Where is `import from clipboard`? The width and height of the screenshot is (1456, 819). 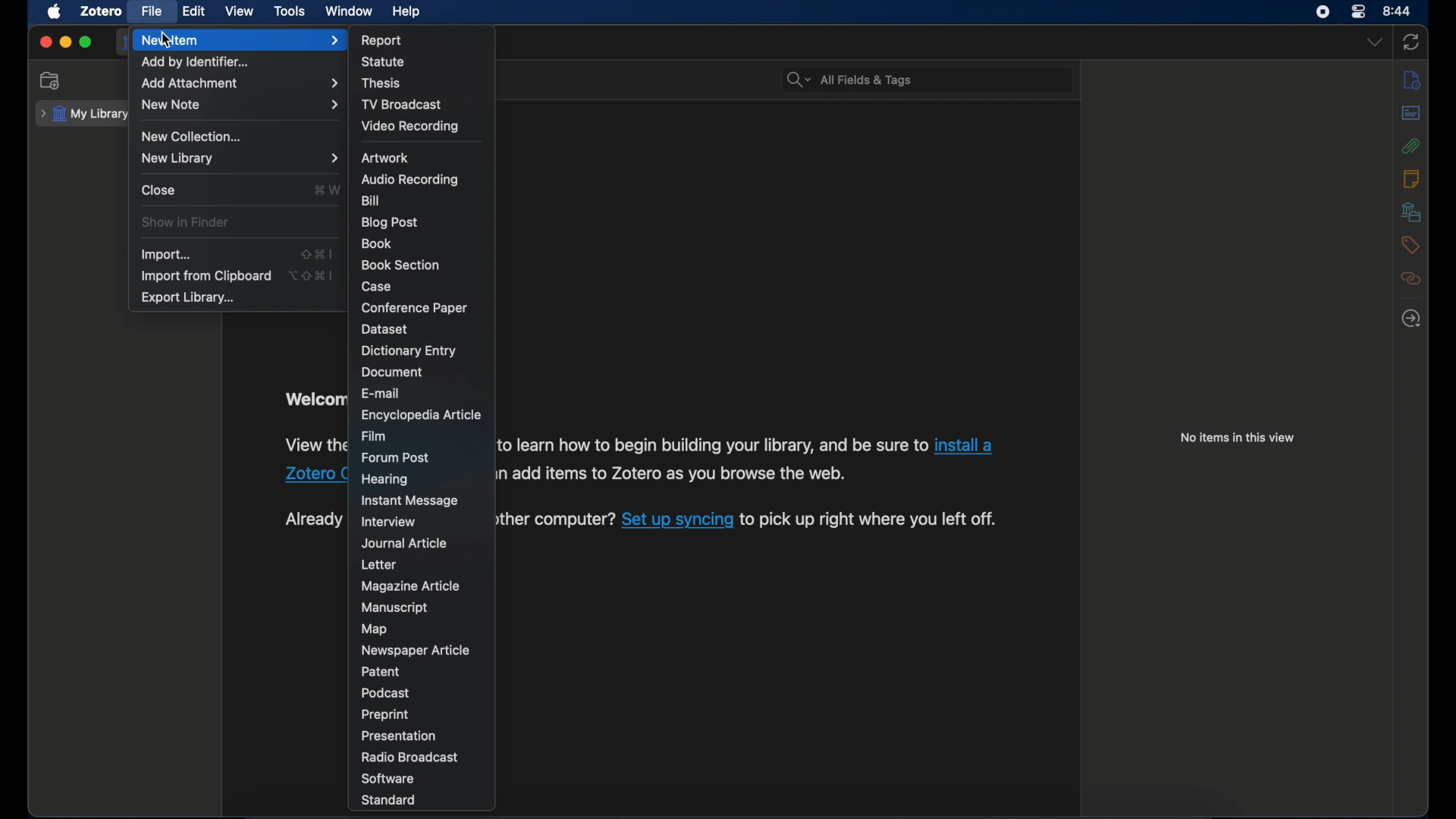
import from clipboard is located at coordinates (205, 276).